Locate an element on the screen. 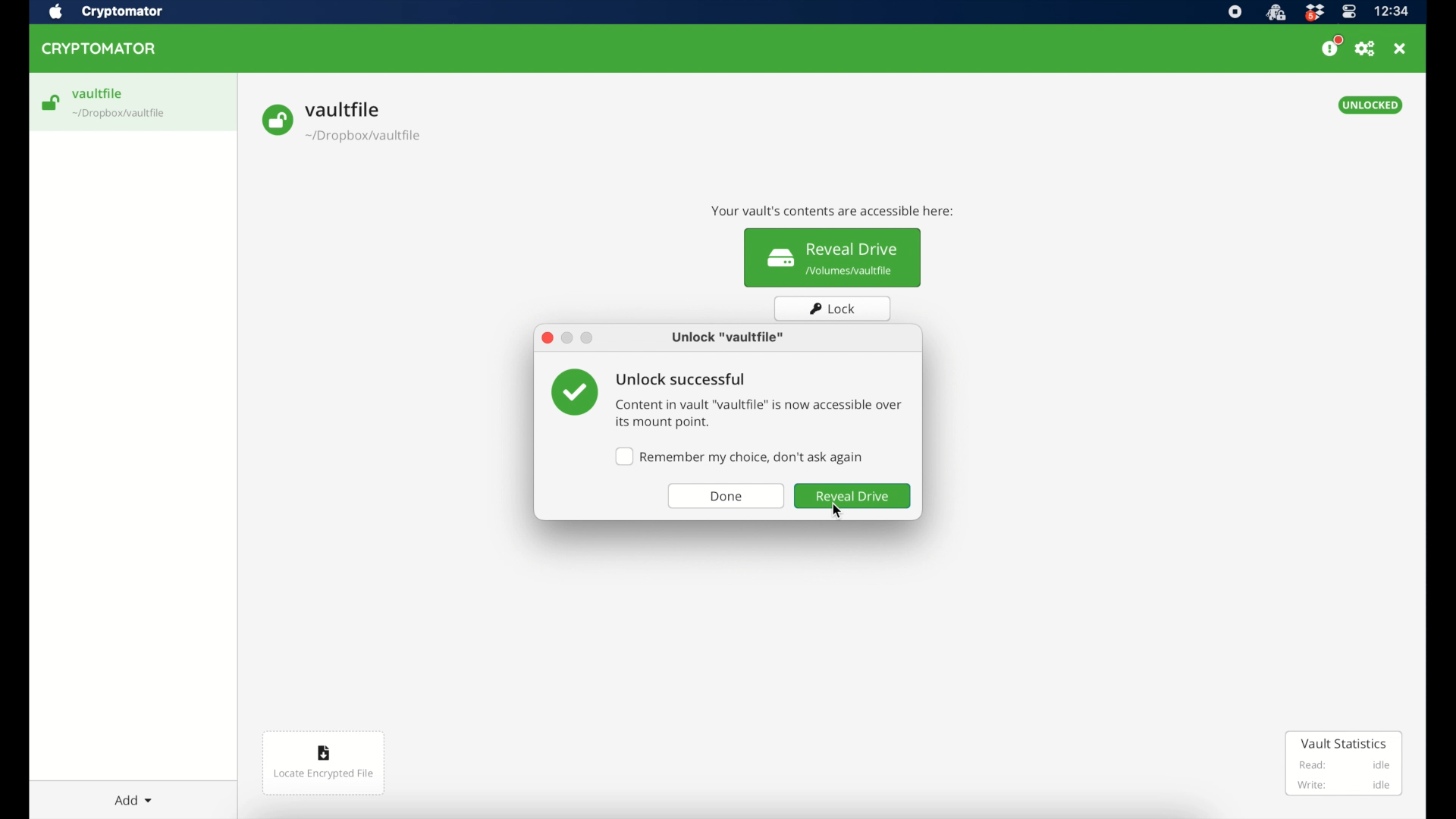 The height and width of the screenshot is (819, 1456). loading icon is located at coordinates (51, 103).